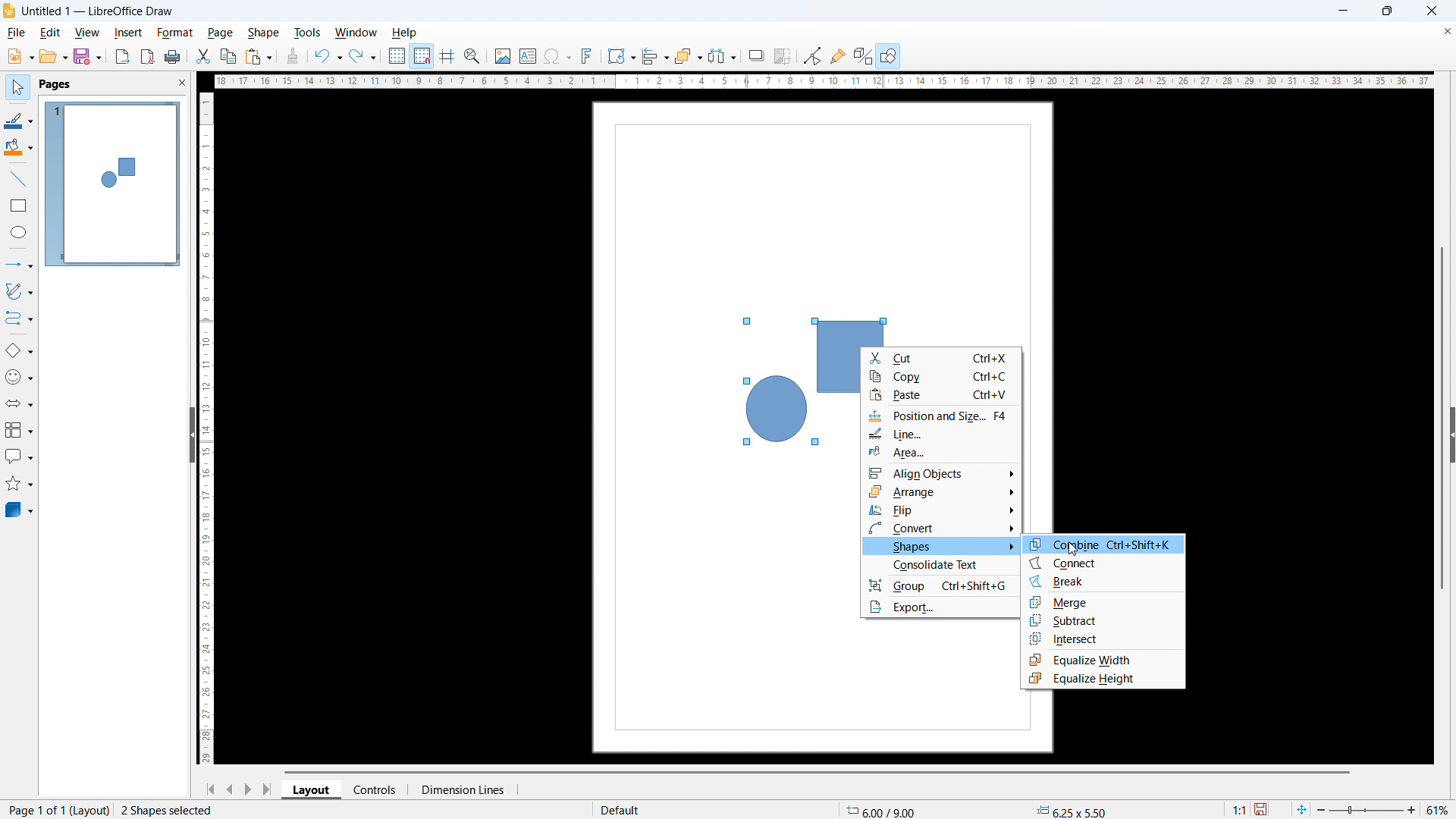 This screenshot has width=1456, height=819. I want to click on export, so click(124, 58).